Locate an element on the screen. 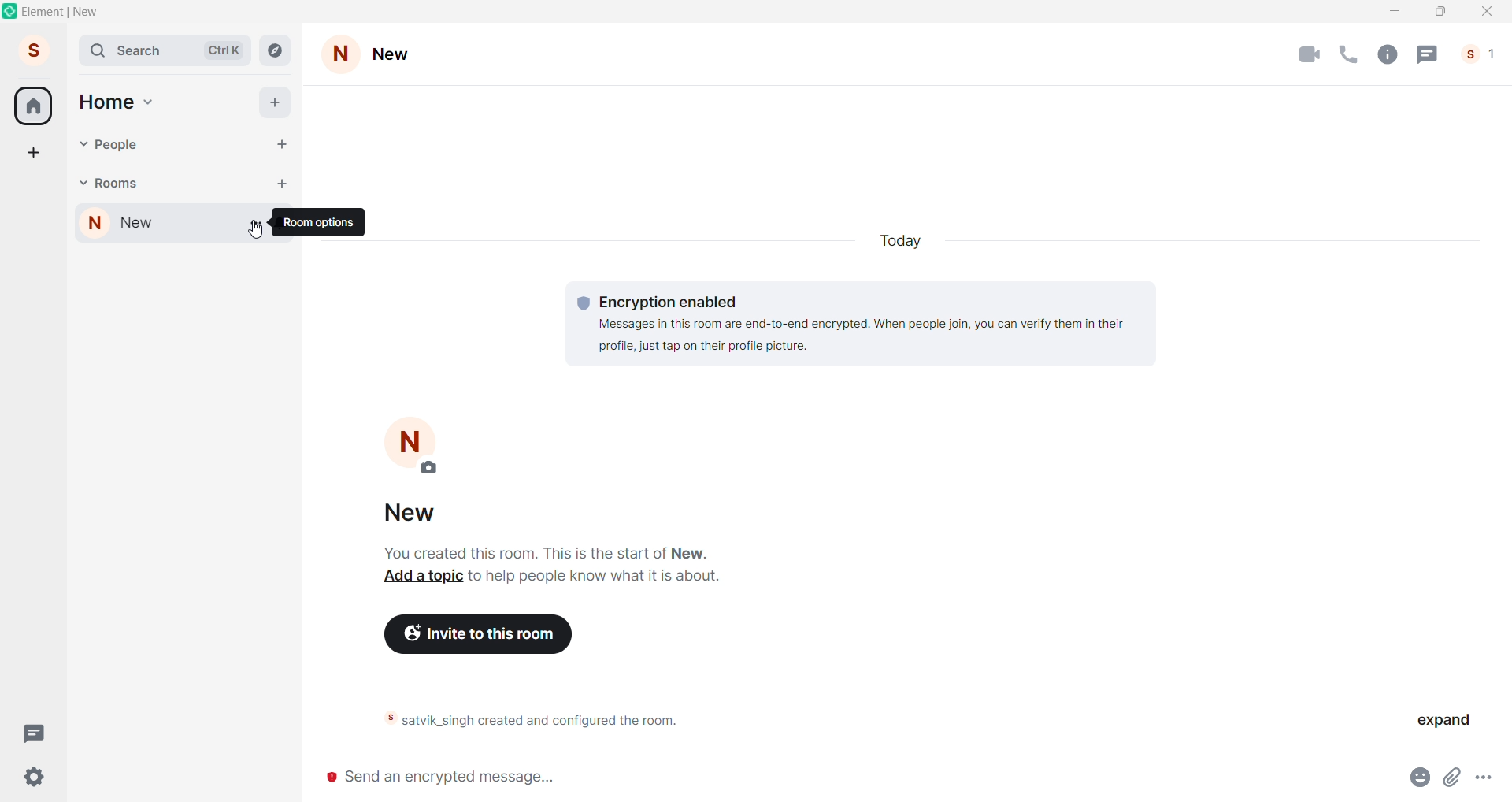  People is located at coordinates (118, 145).